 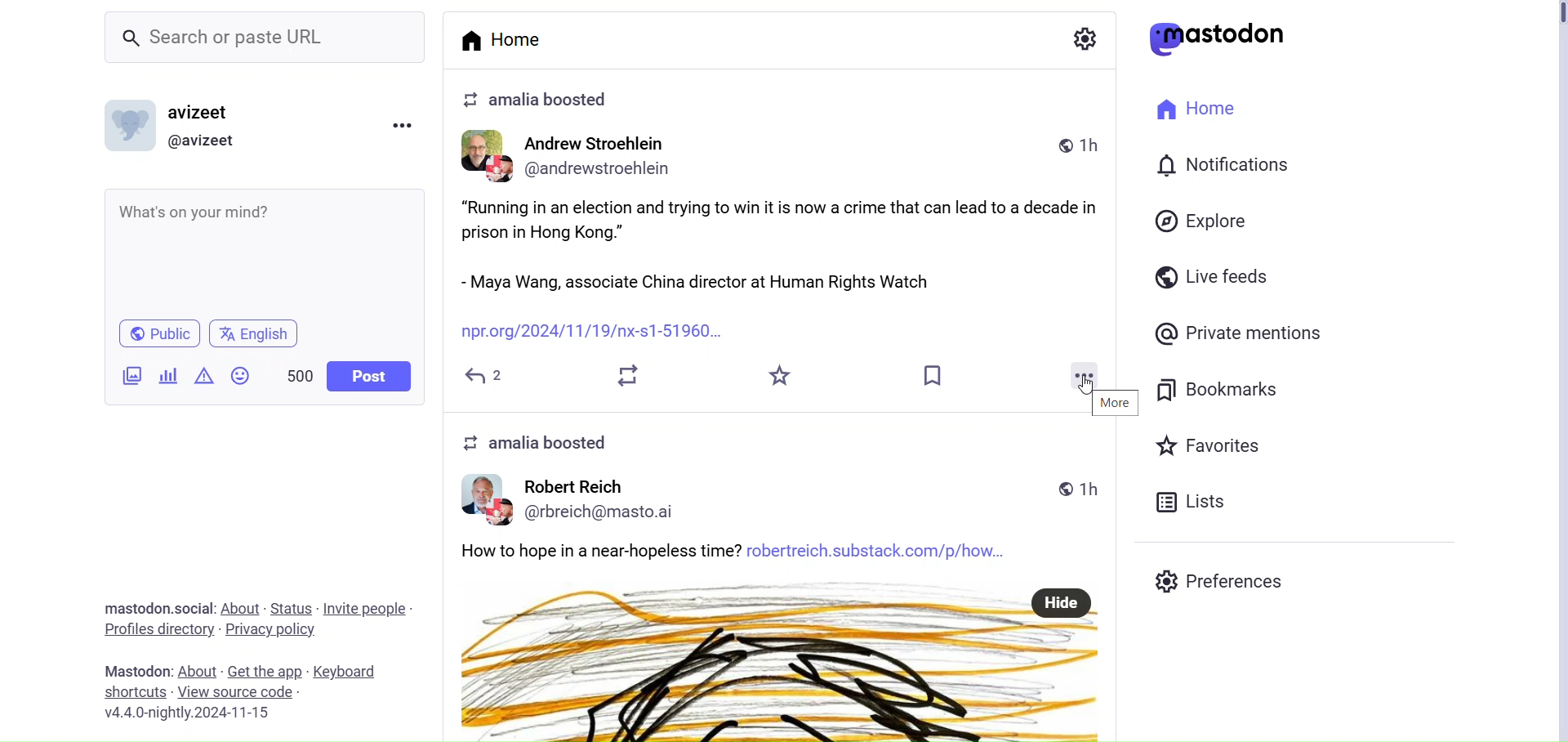 I want to click on Settings, so click(x=1084, y=36).